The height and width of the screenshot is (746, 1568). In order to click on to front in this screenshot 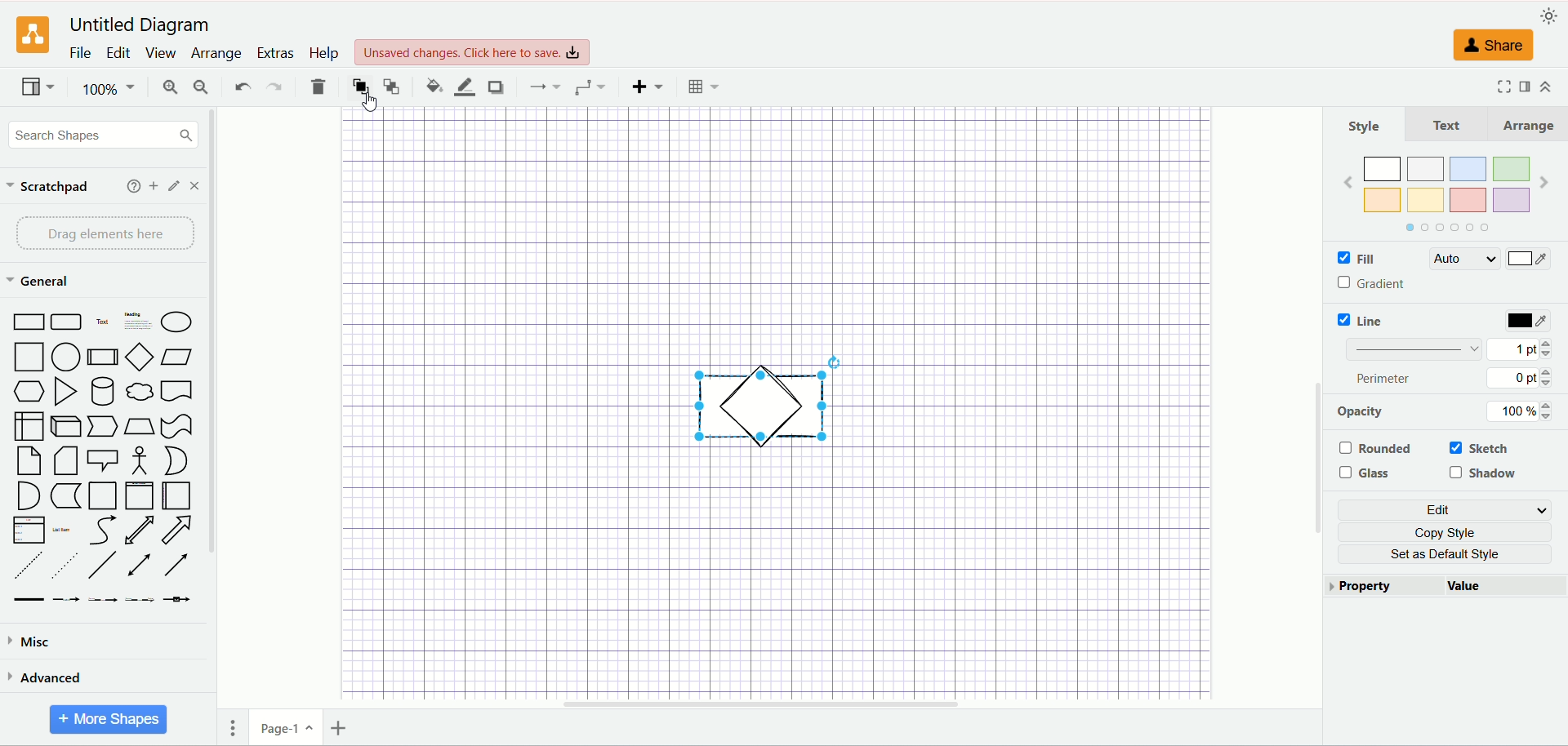, I will do `click(362, 85)`.